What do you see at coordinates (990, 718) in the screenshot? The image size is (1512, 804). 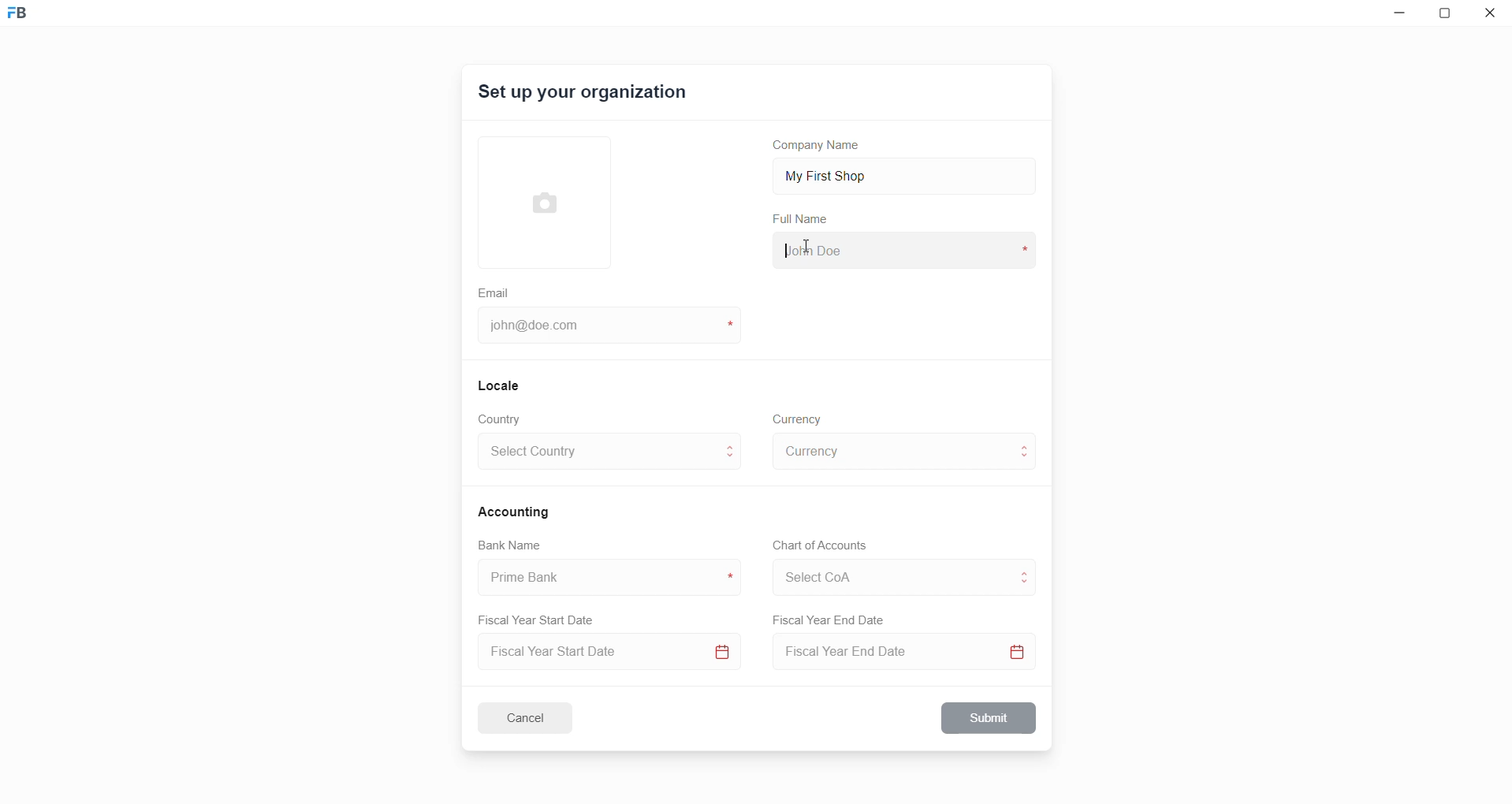 I see `Submit ` at bounding box center [990, 718].